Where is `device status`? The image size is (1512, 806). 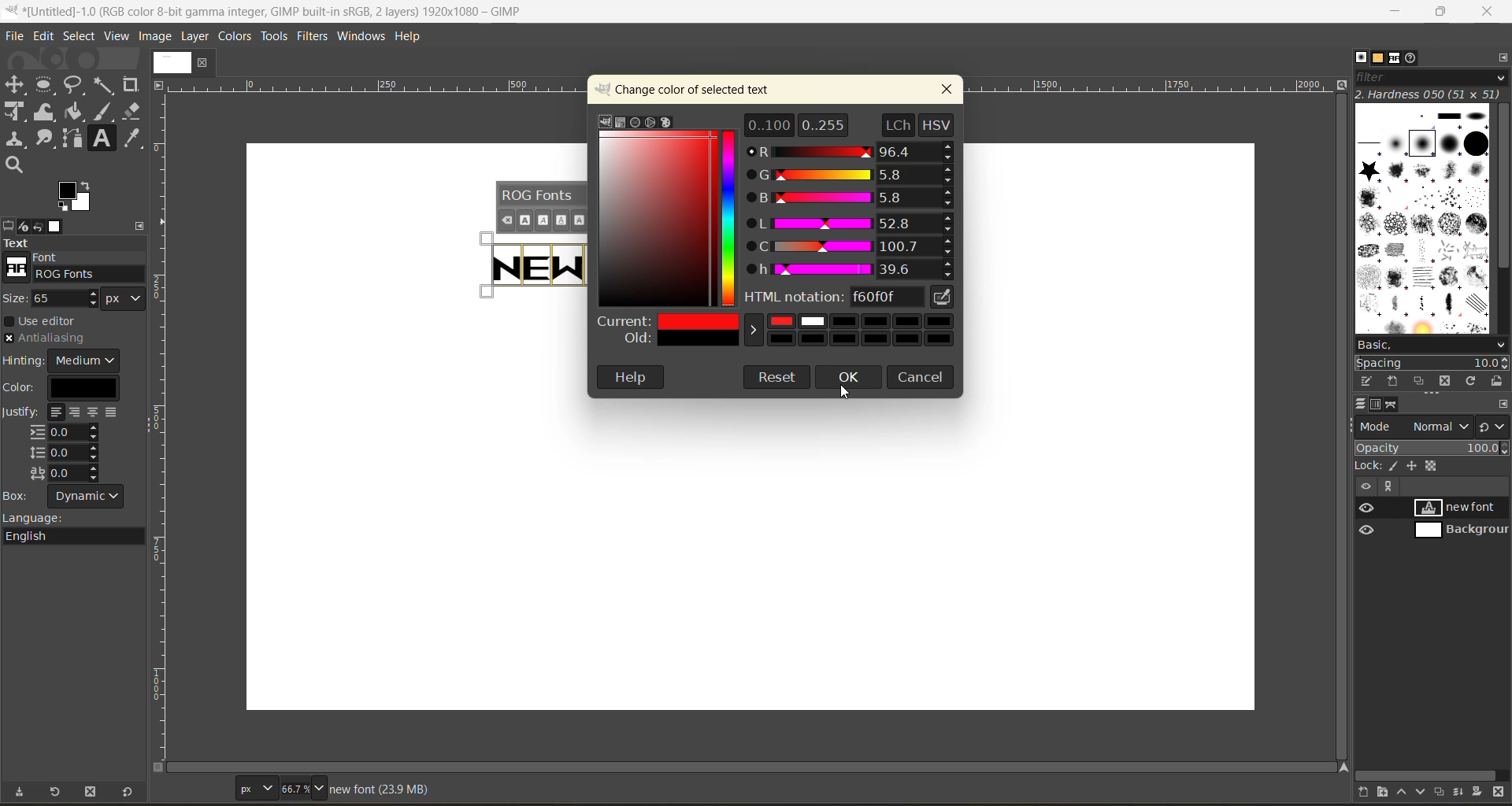
device status is located at coordinates (24, 227).